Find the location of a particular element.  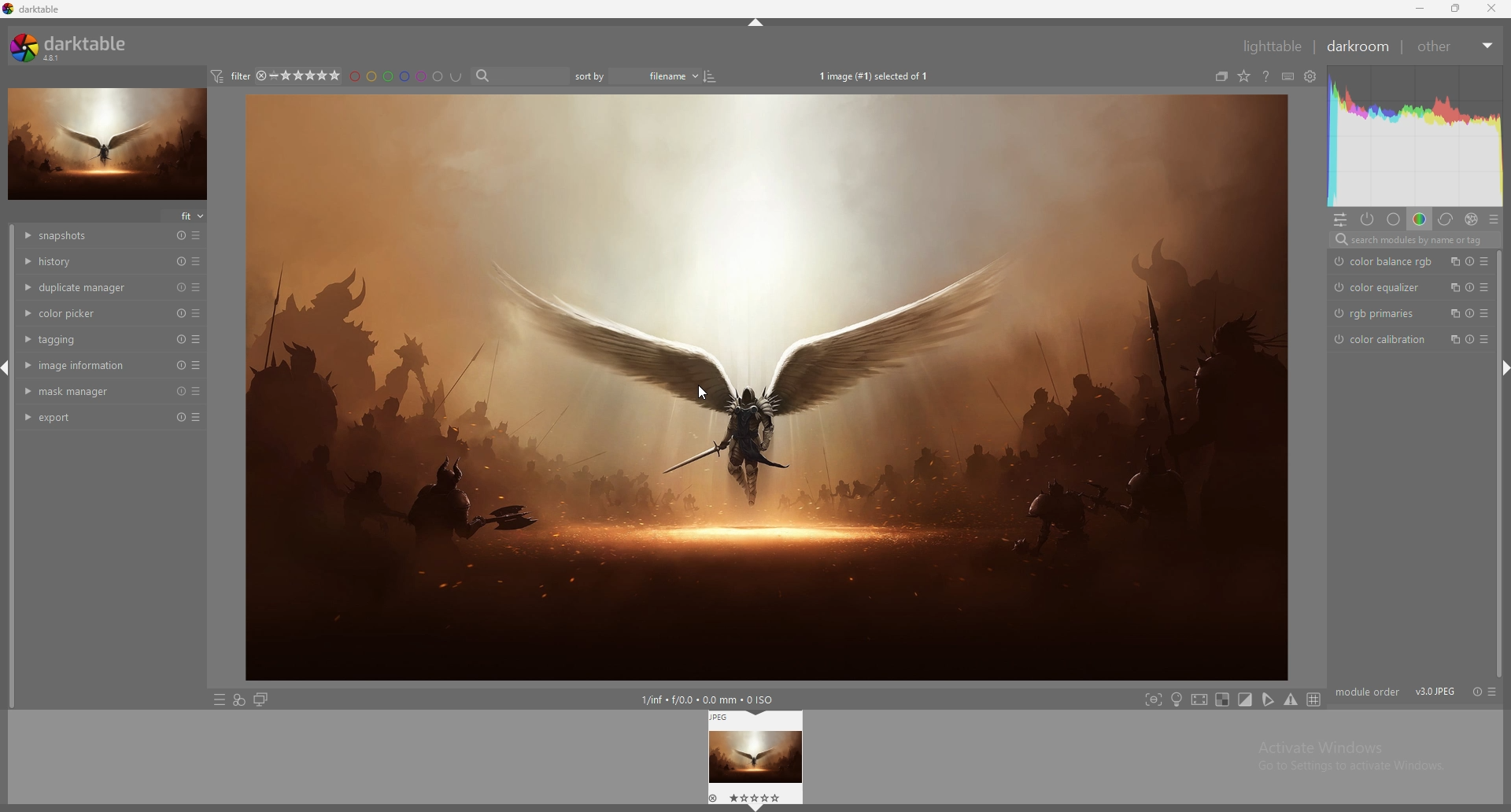

toggle iso 12646 color assessment conditions is located at coordinates (1177, 699).